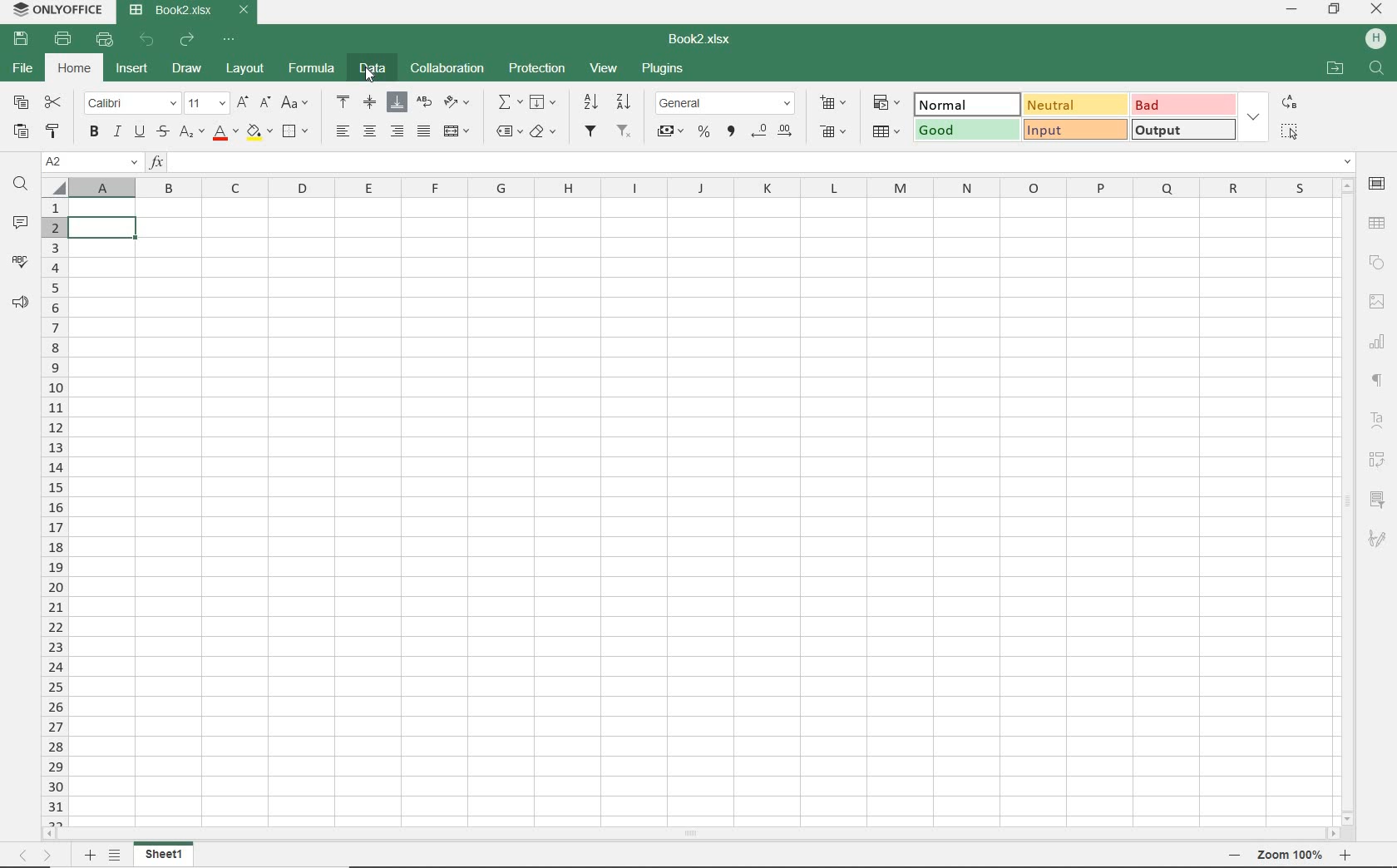 This screenshot has width=1397, height=868. I want to click on OPEN FILE LOCATION, so click(1337, 68).